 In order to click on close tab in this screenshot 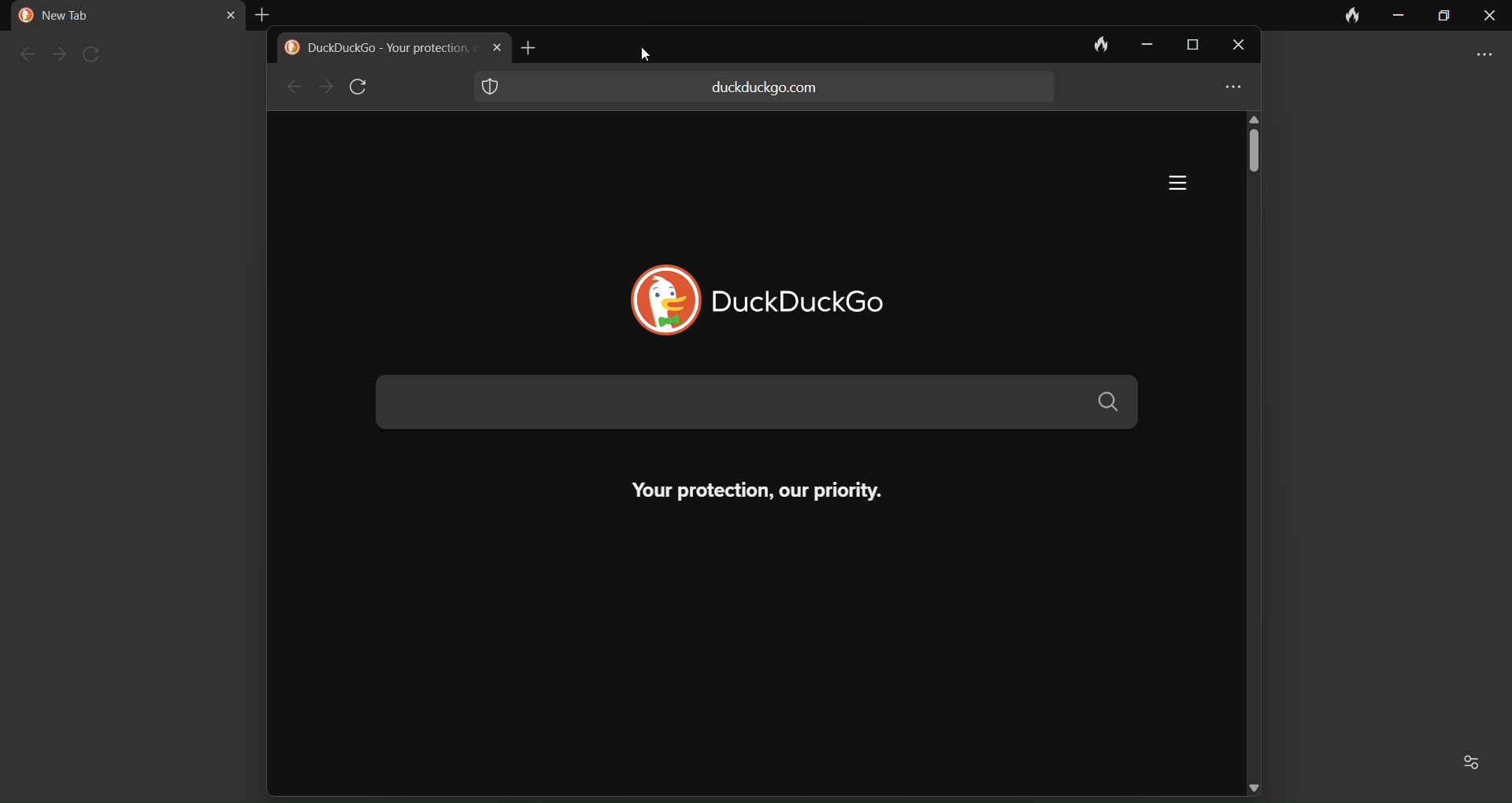, I will do `click(218, 15)`.